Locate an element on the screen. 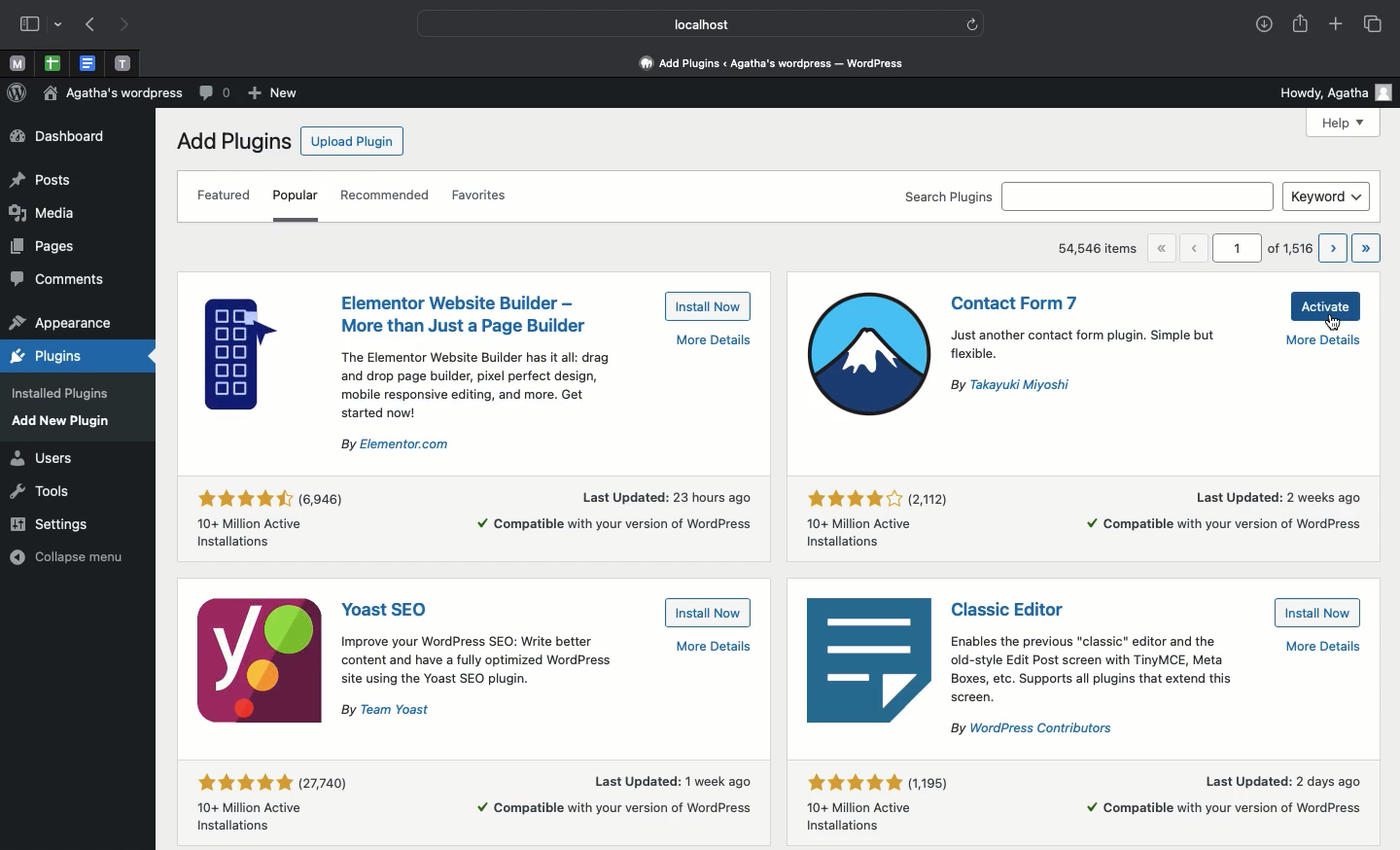  Install now is located at coordinates (709, 307).